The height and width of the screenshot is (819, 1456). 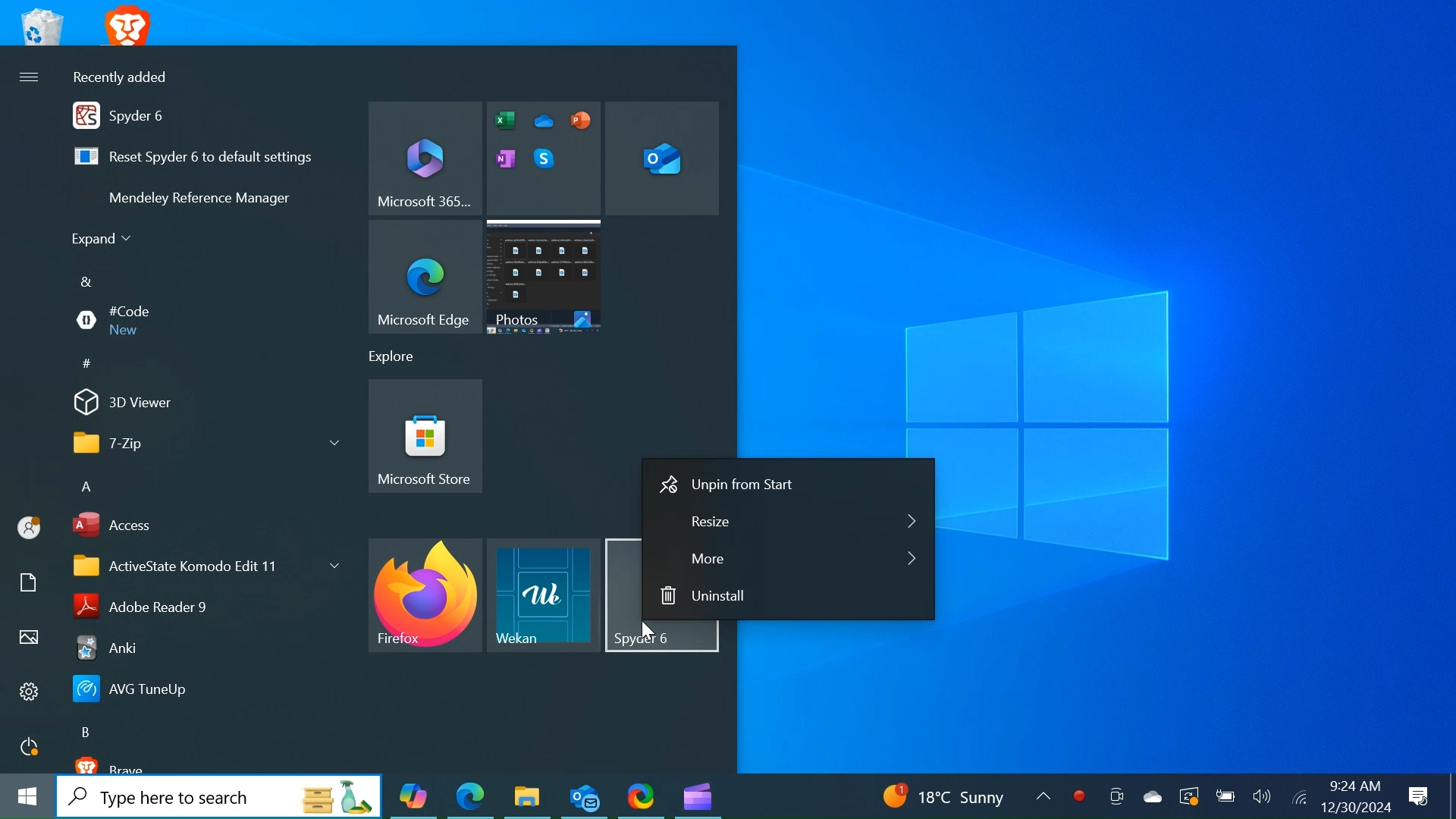 I want to click on Meet now, so click(x=1114, y=794).